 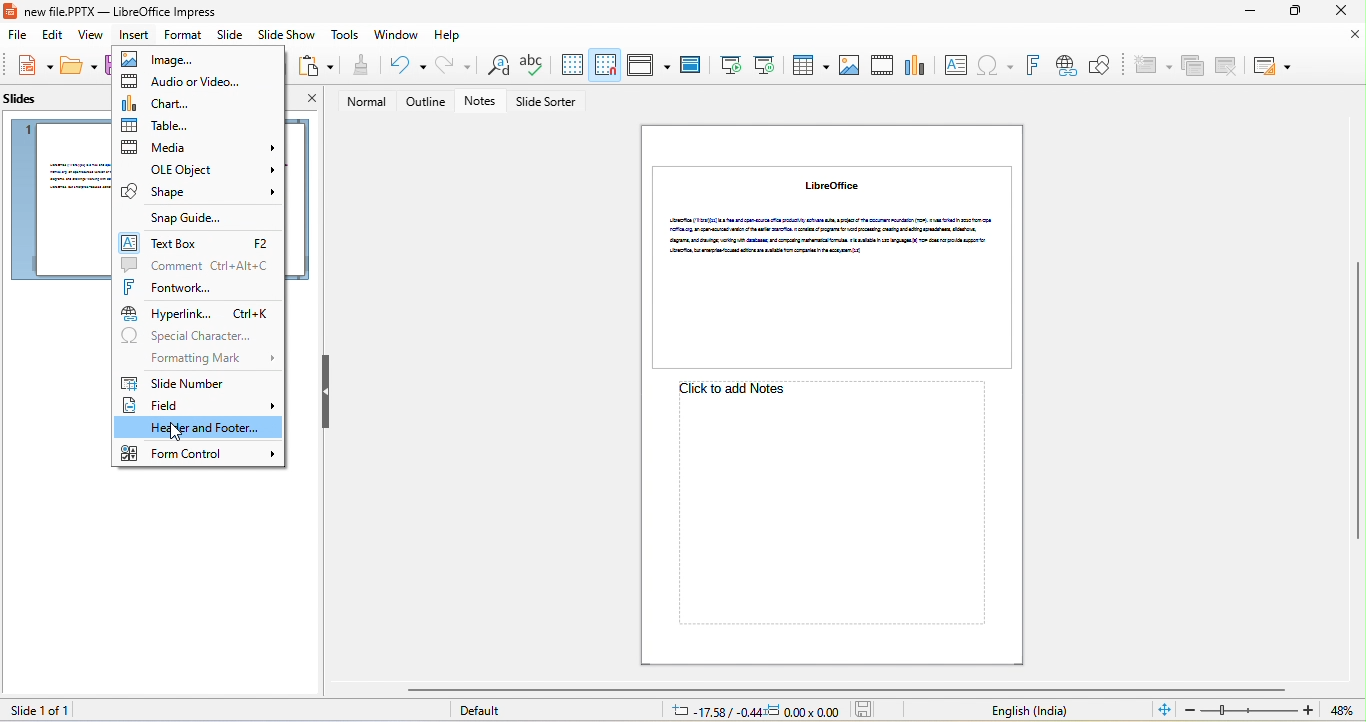 I want to click on slide sorter, so click(x=549, y=103).